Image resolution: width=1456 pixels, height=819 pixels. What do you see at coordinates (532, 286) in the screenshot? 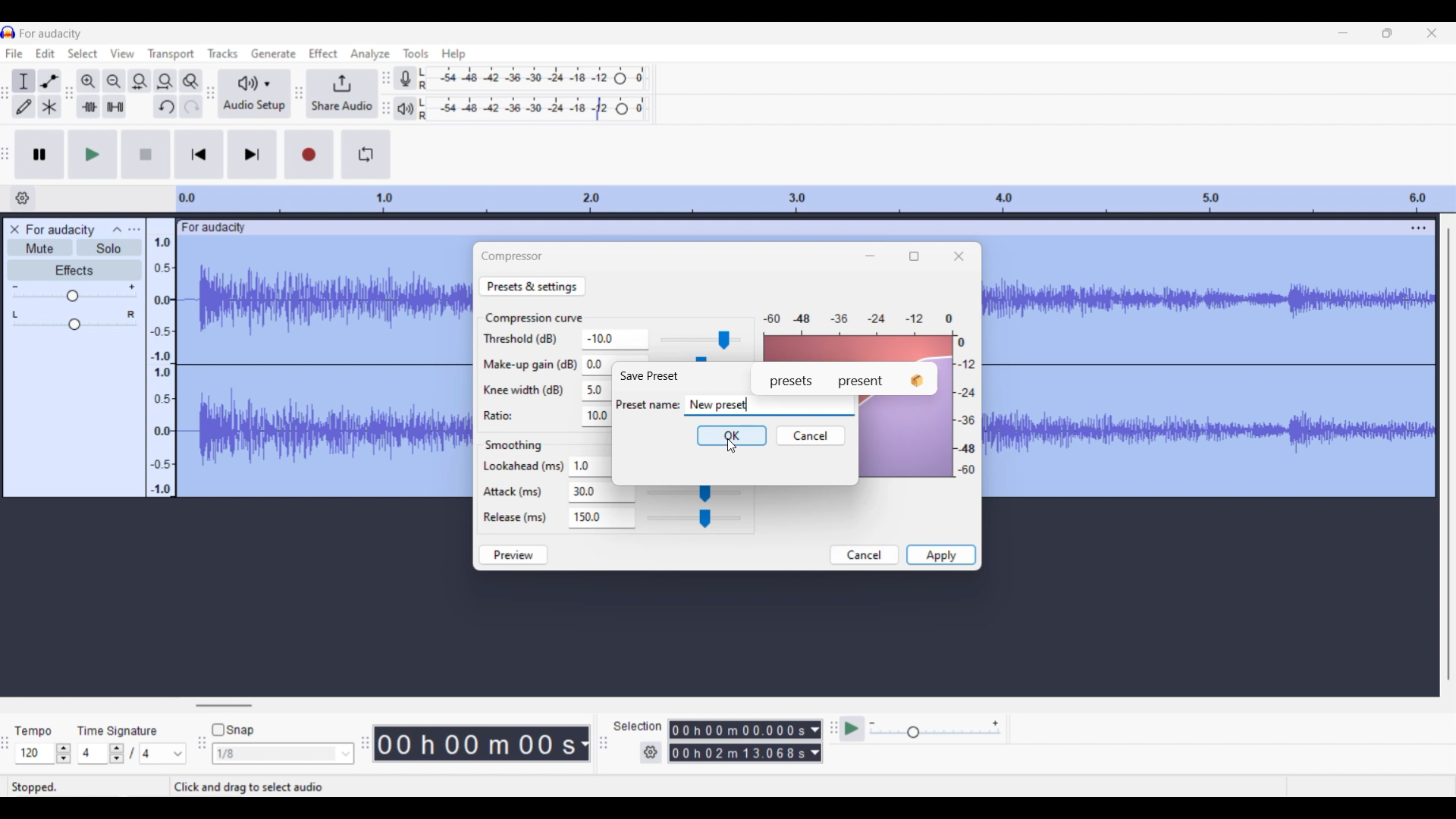
I see `Preset and settings` at bounding box center [532, 286].